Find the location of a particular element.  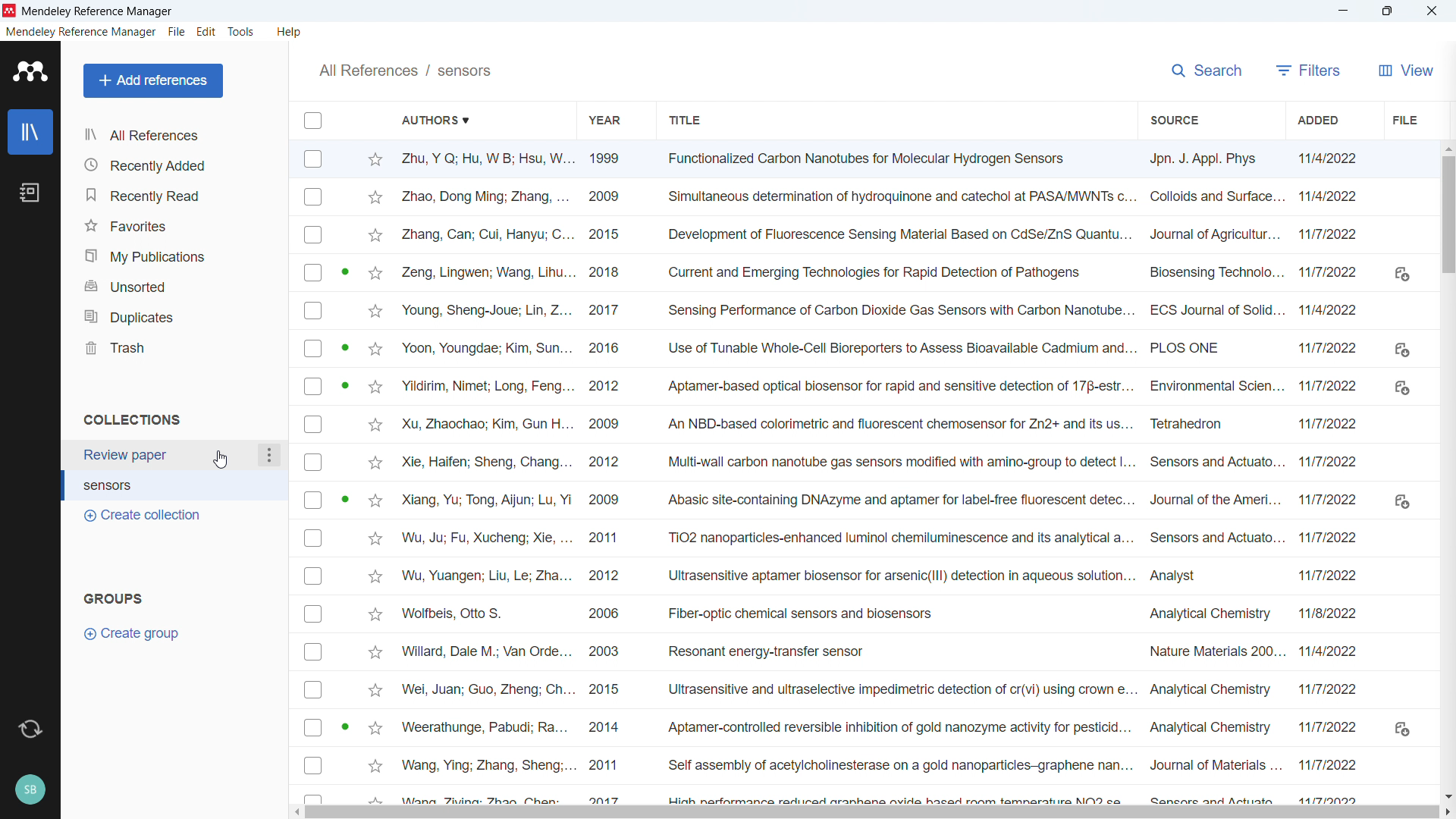

Year of publication of individual entries  is located at coordinates (604, 475).